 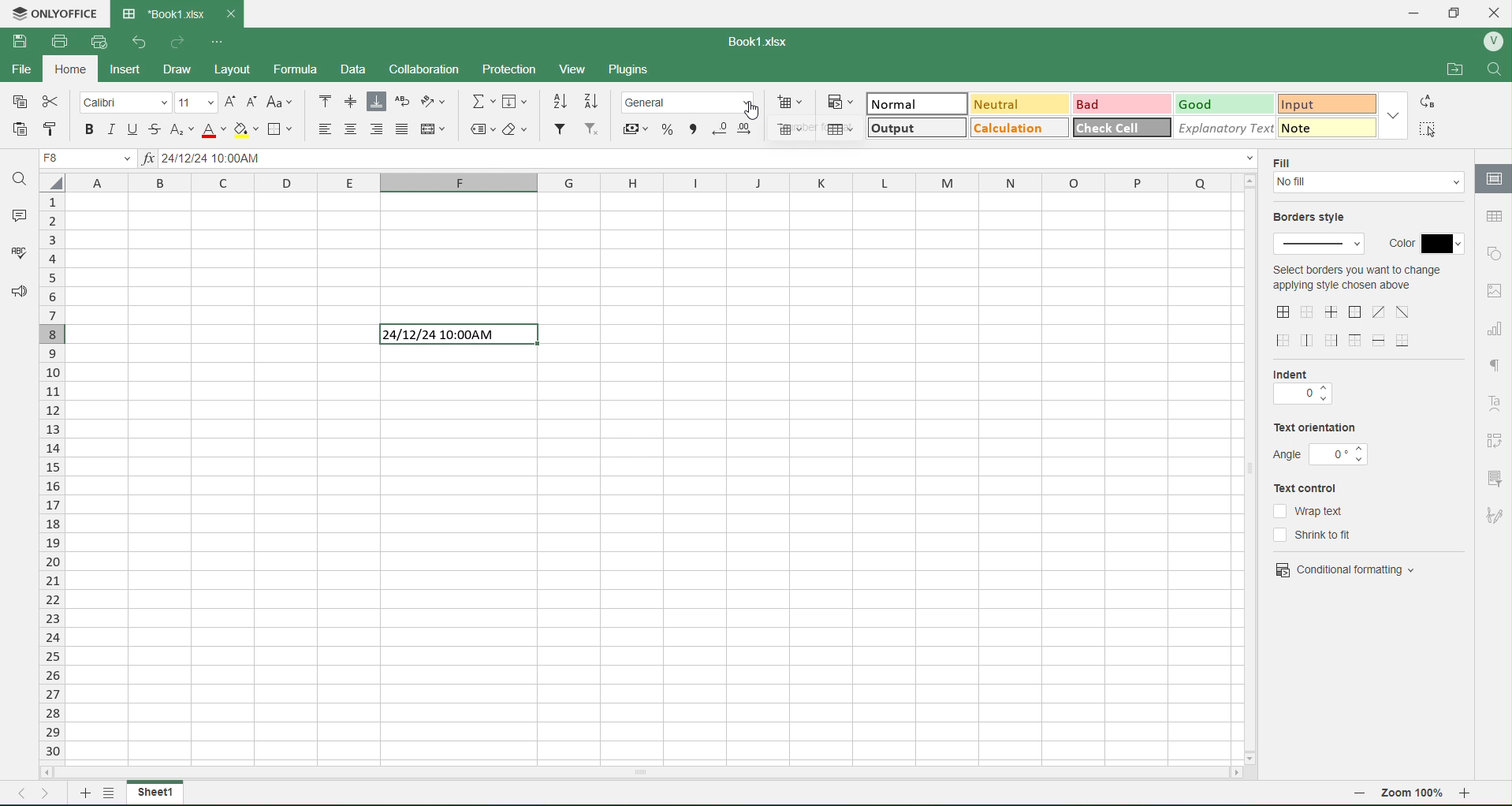 What do you see at coordinates (1254, 753) in the screenshot?
I see `scroll down` at bounding box center [1254, 753].